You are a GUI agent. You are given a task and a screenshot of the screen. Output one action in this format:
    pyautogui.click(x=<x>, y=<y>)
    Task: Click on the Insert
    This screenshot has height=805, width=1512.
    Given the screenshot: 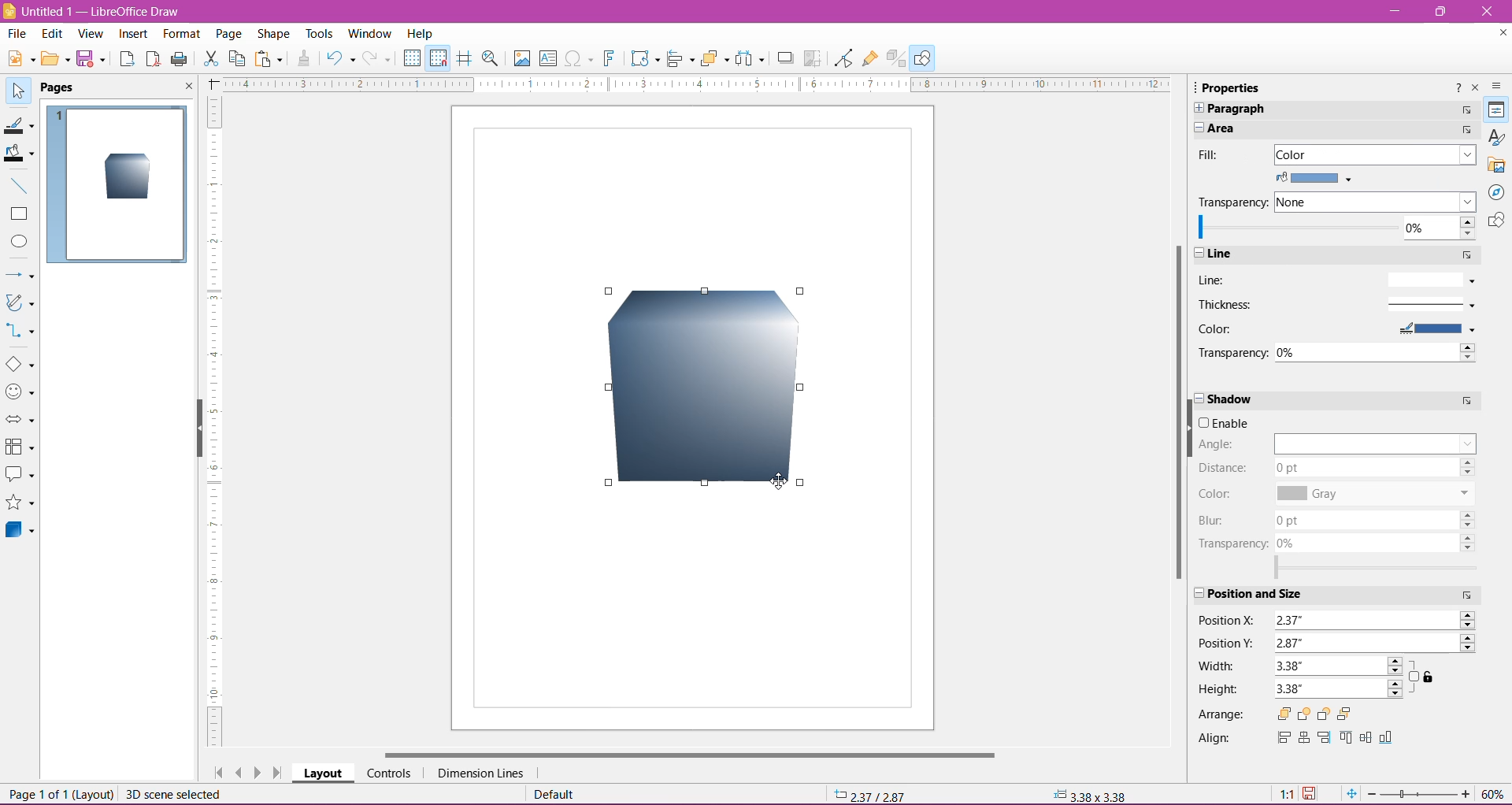 What is the action you would take?
    pyautogui.click(x=134, y=35)
    